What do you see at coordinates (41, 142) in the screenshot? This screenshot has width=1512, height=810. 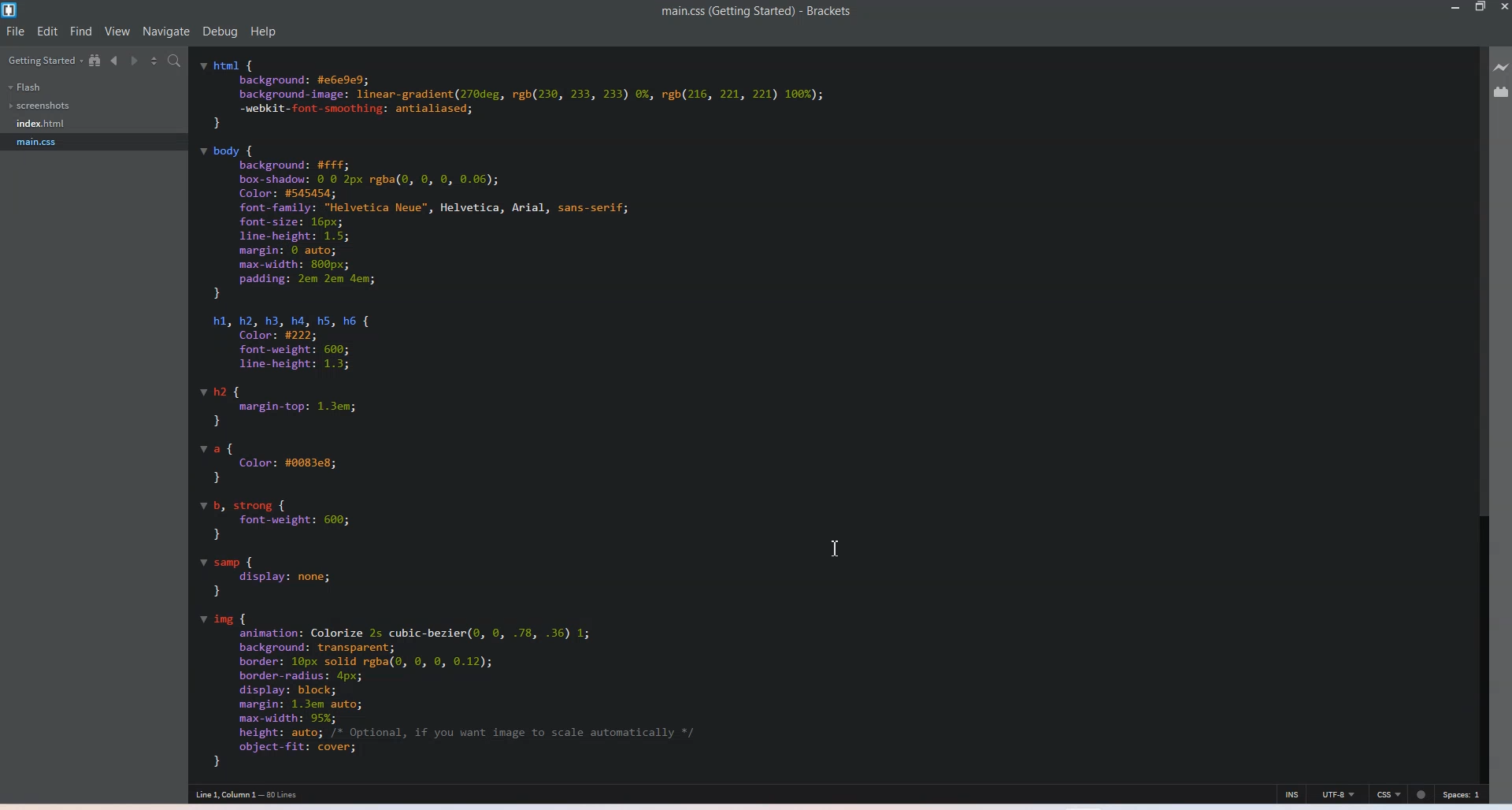 I see `main.css` at bounding box center [41, 142].